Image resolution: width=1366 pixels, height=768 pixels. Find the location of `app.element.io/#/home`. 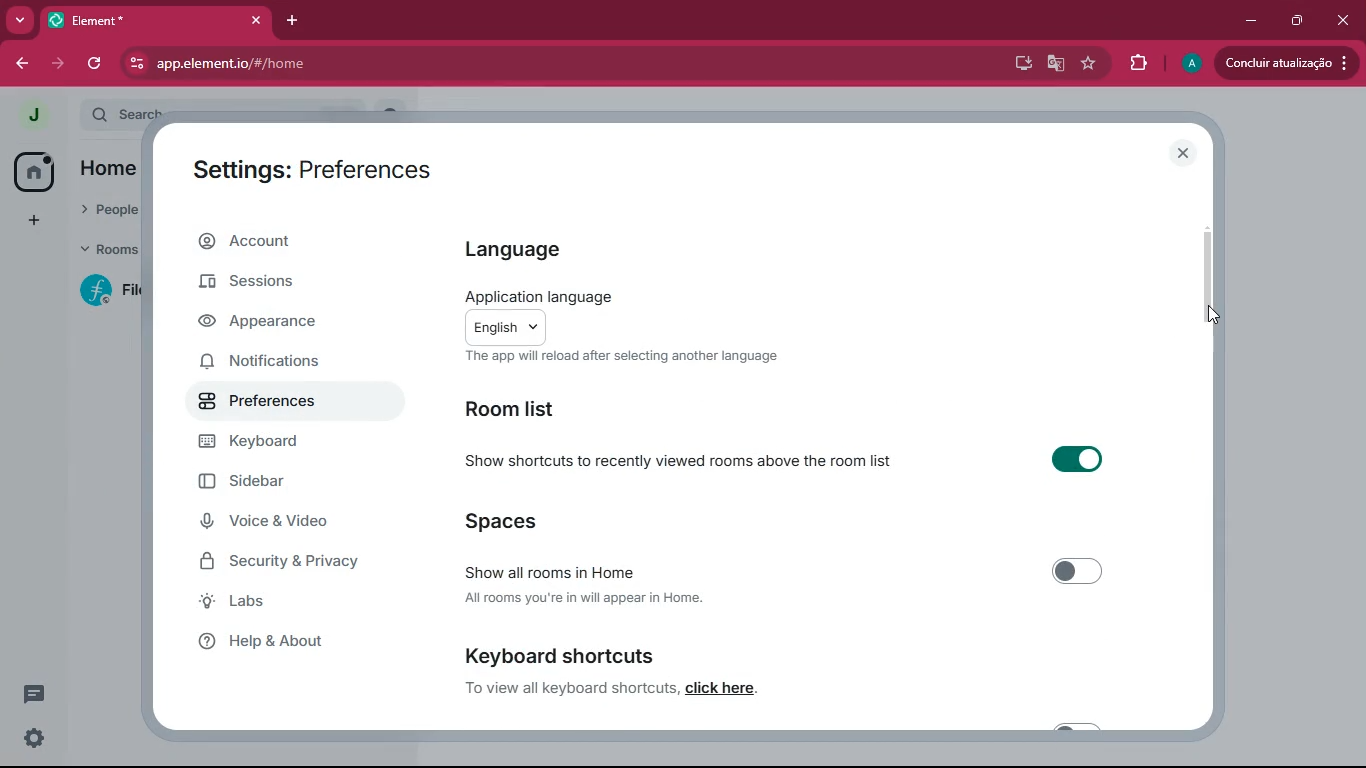

app.element.io/#/home is located at coordinates (323, 63).